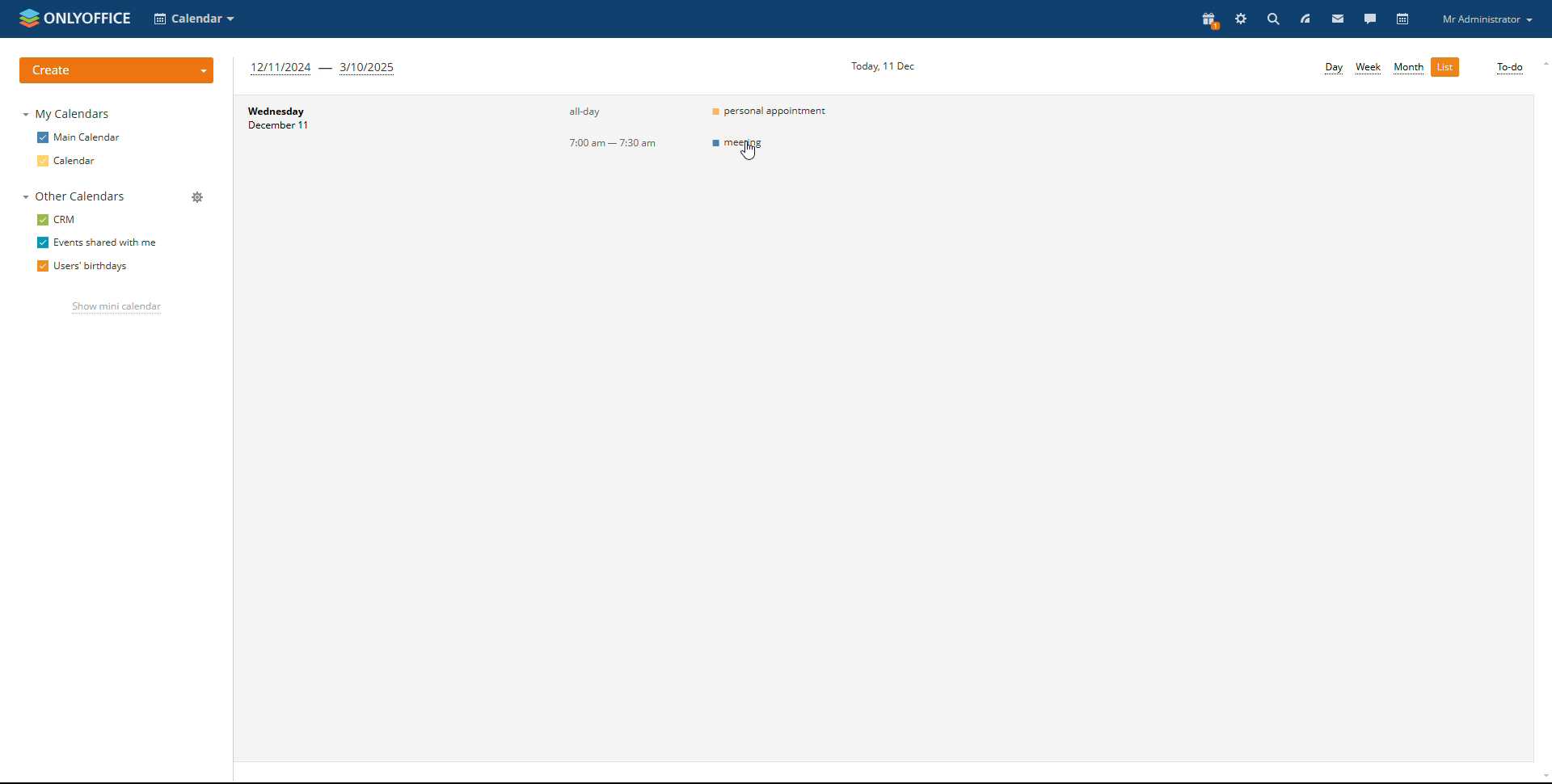 The image size is (1552, 784). Describe the element at coordinates (1542, 778) in the screenshot. I see `scroll down` at that location.